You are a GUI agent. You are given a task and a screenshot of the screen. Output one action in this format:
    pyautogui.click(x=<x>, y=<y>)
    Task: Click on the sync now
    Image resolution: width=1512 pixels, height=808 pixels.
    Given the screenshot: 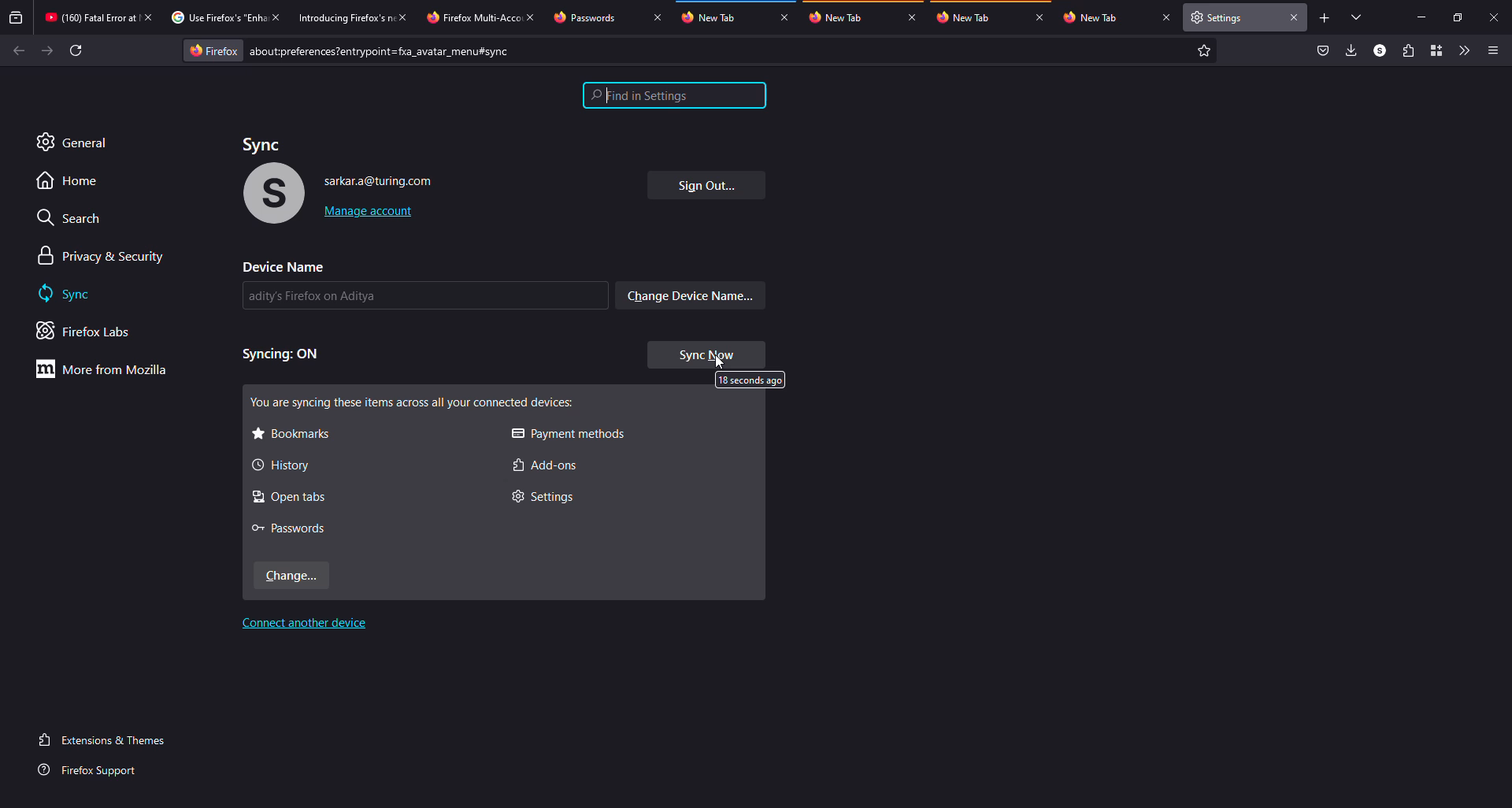 What is the action you would take?
    pyautogui.click(x=706, y=354)
    